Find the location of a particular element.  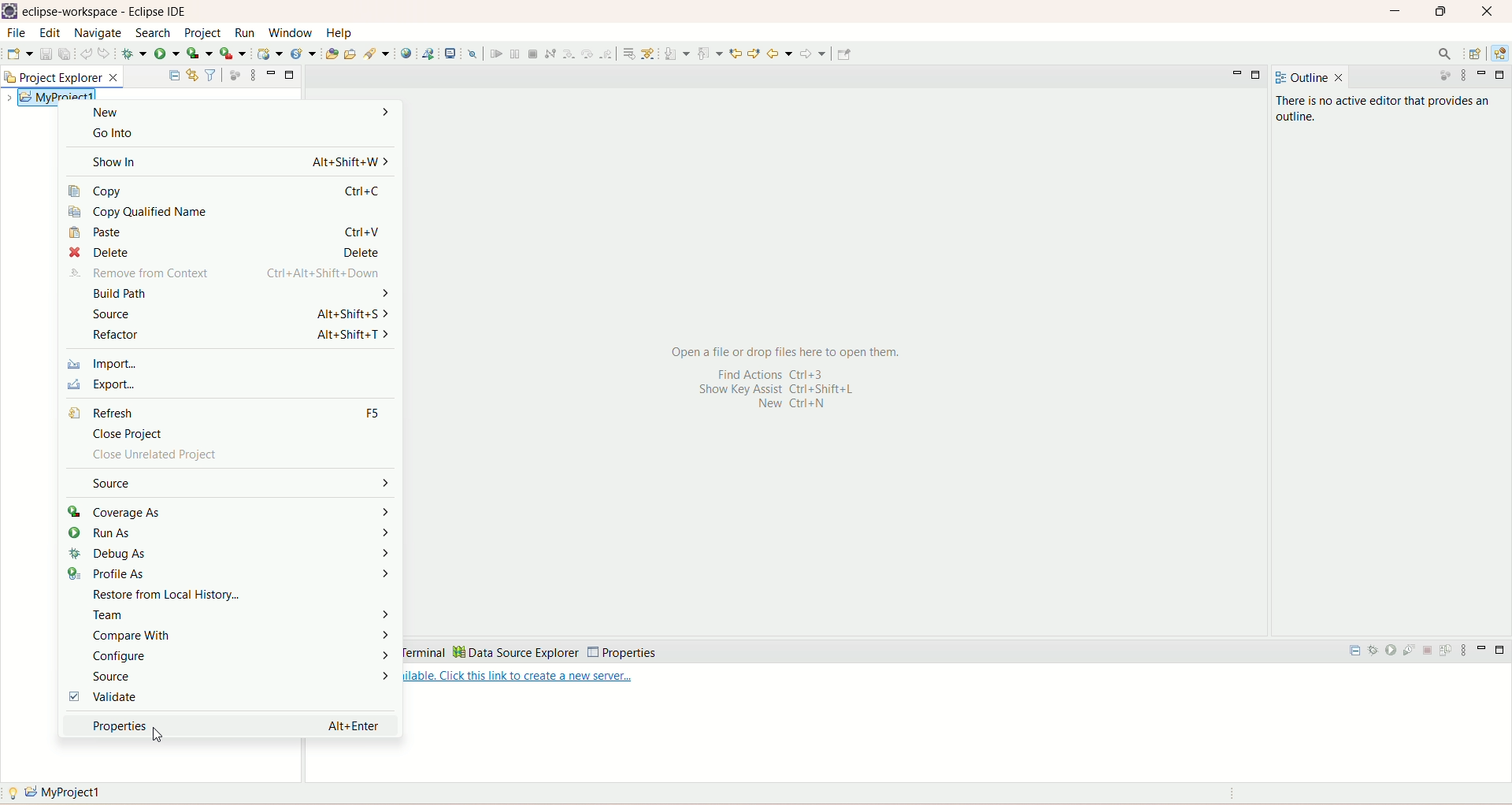

source is located at coordinates (229, 315).